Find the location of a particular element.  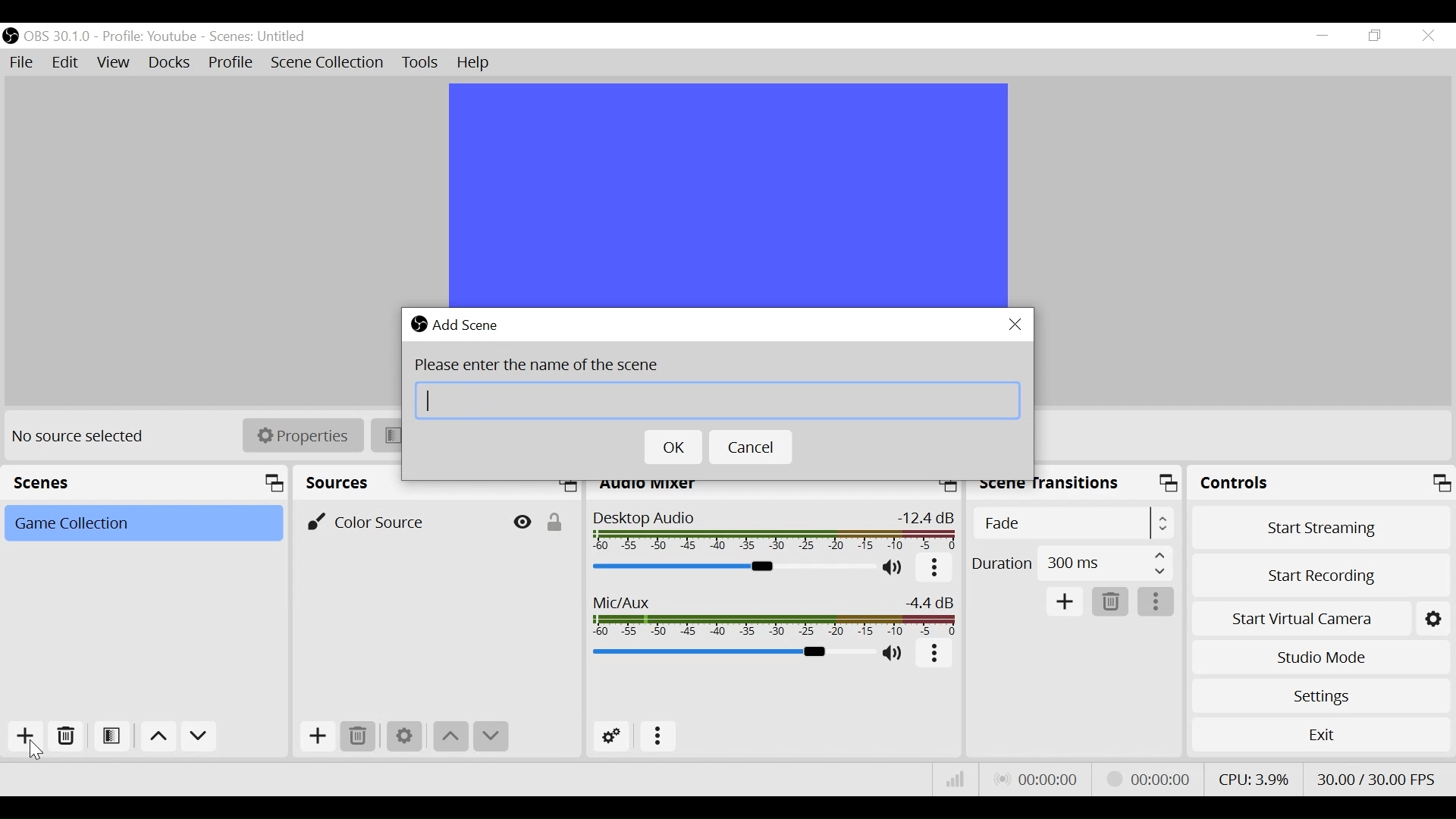

Add is located at coordinates (315, 736).